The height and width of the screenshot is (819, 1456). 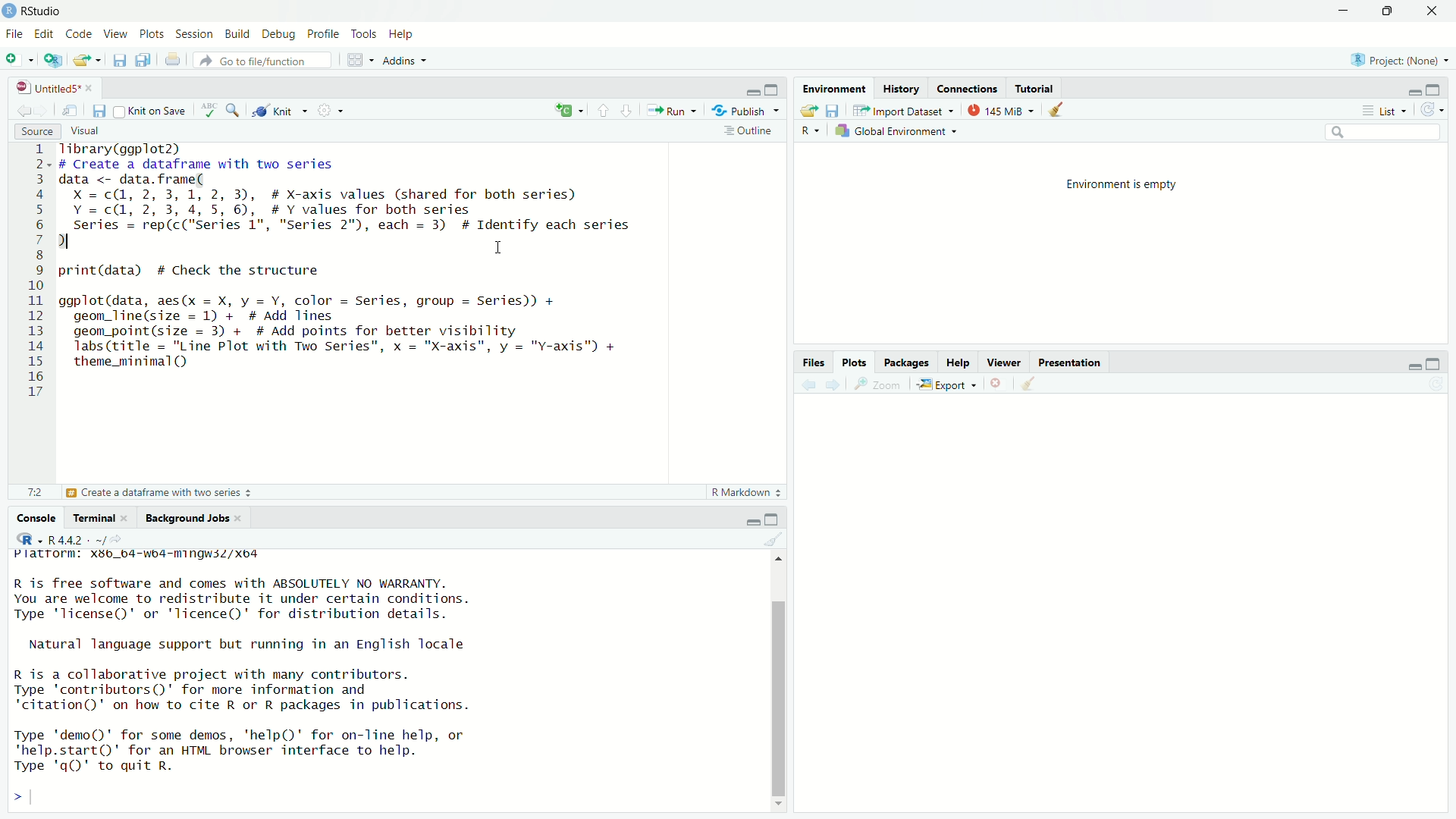 I want to click on New file, so click(x=17, y=59).